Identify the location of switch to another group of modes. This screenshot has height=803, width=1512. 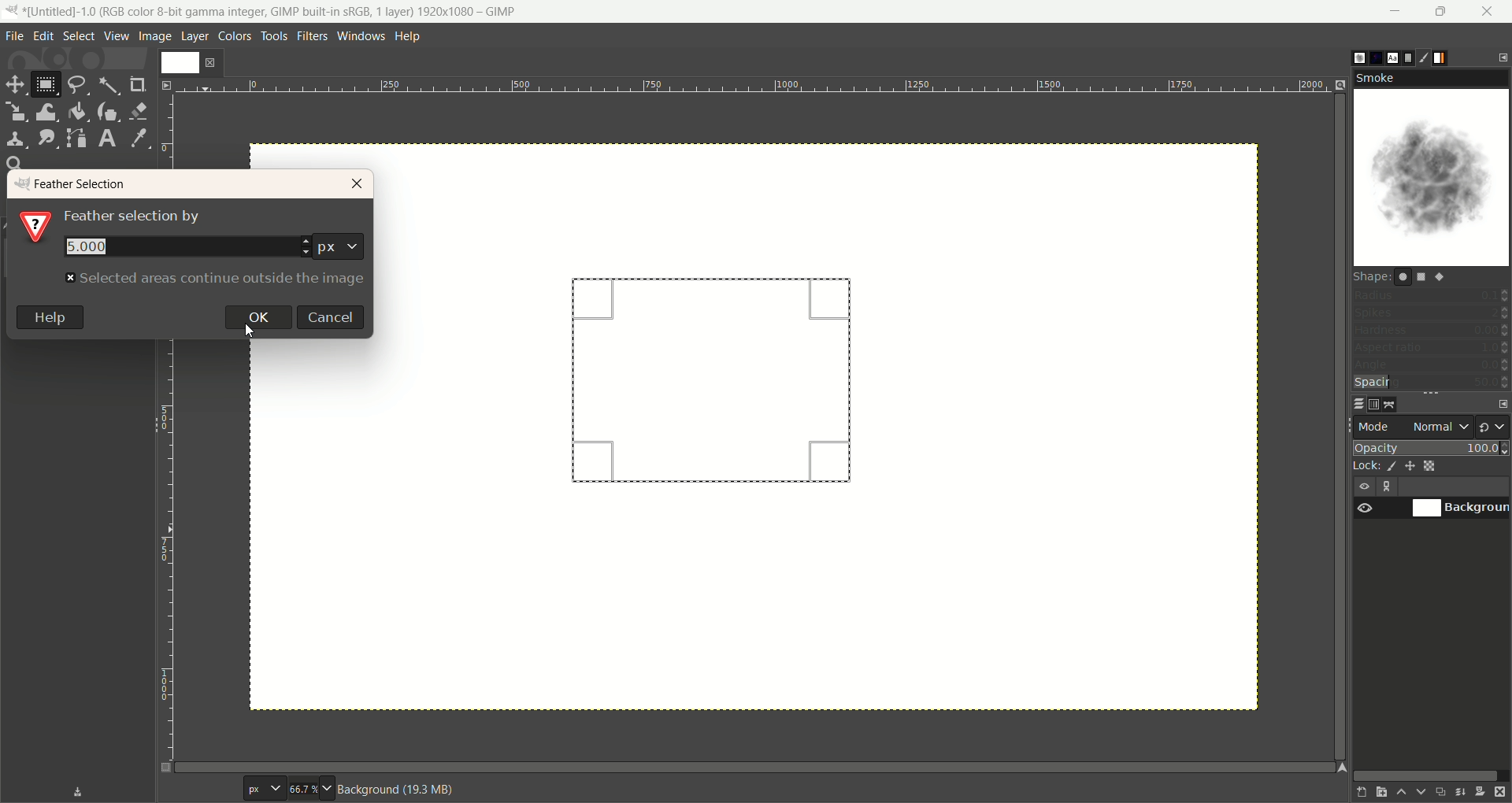
(1492, 426).